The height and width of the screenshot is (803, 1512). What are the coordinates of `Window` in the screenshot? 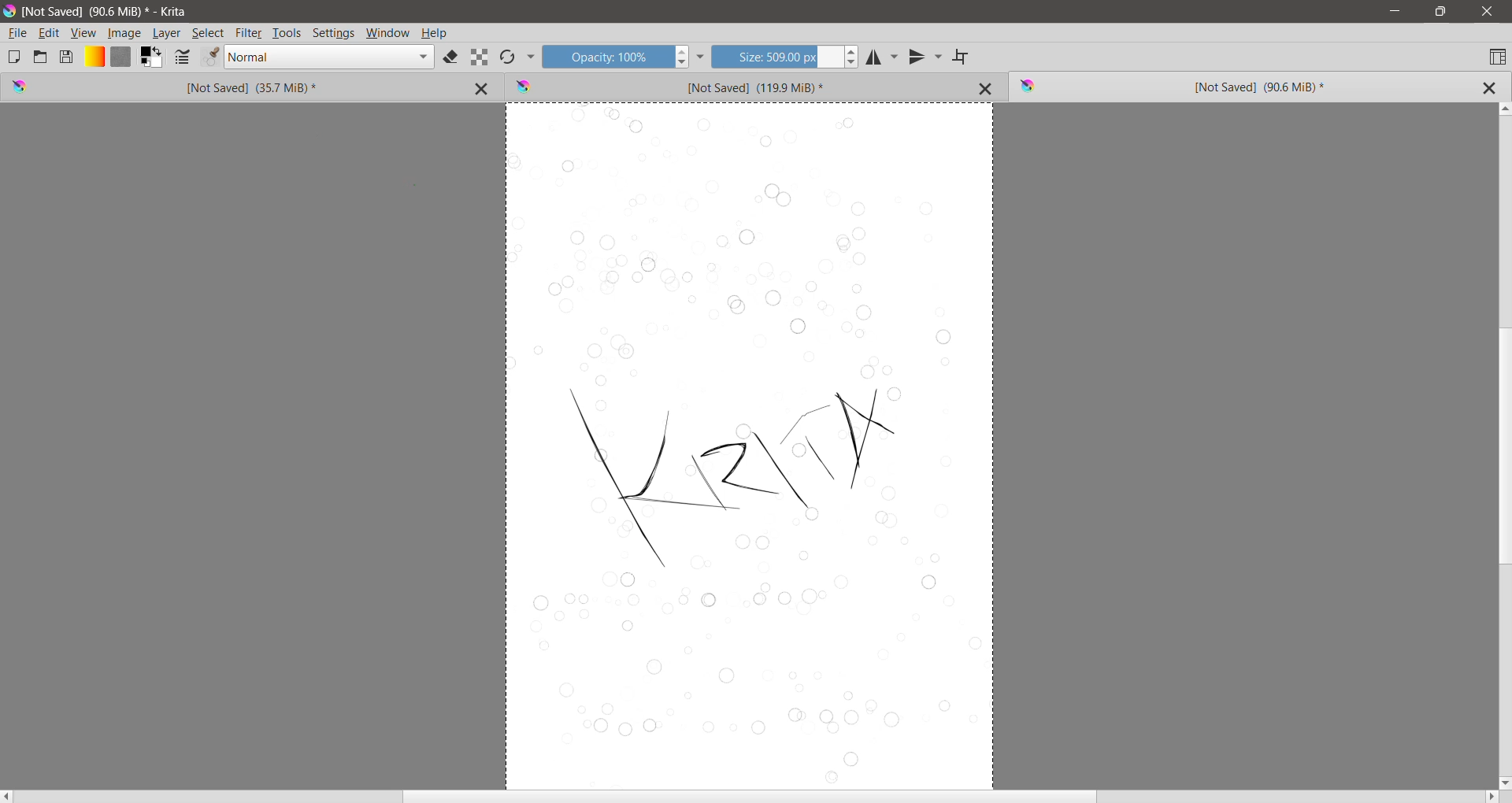 It's located at (388, 34).